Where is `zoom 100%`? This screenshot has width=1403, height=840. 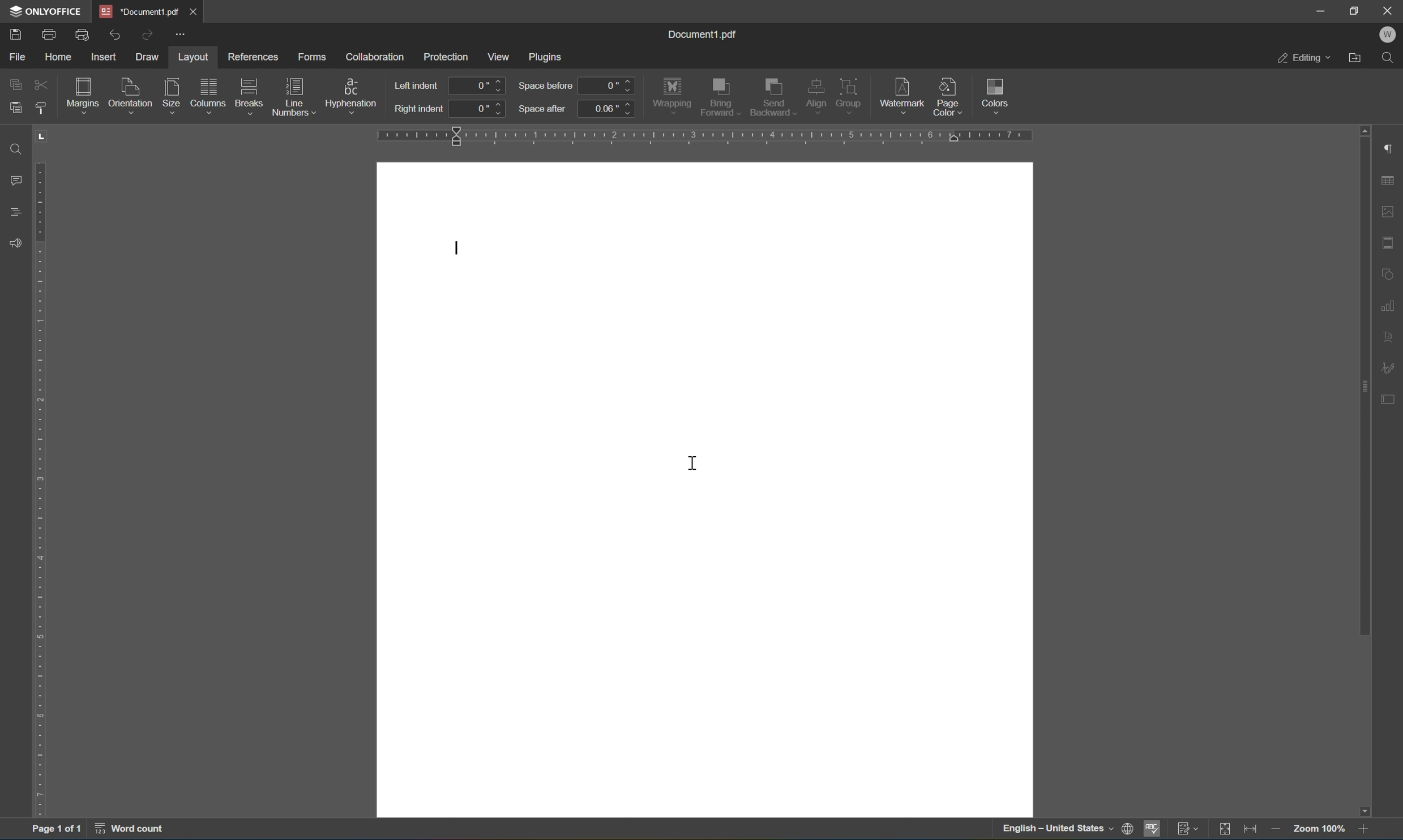 zoom 100% is located at coordinates (1316, 830).